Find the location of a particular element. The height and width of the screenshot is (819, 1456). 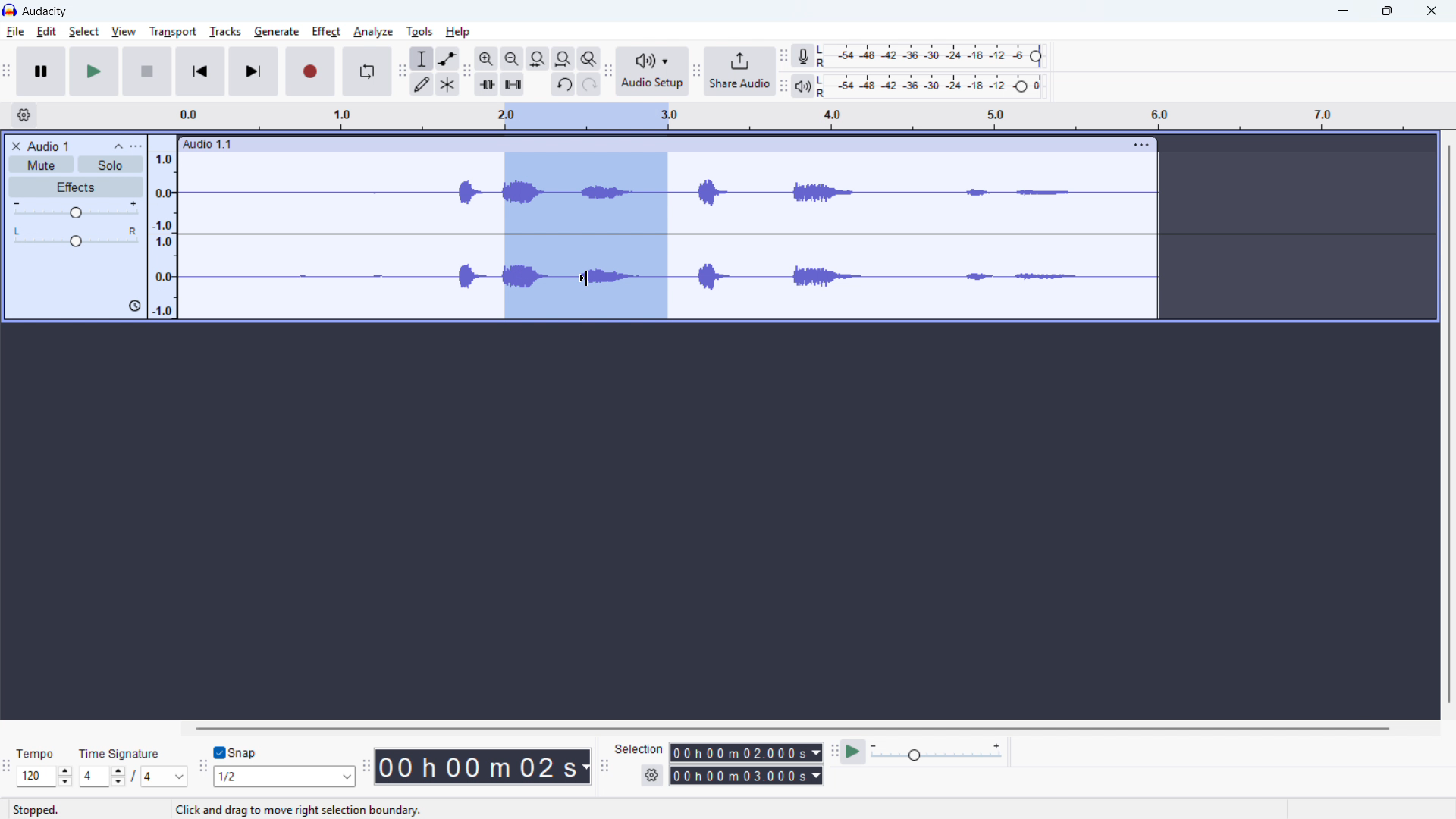

Share audio is located at coordinates (740, 72).